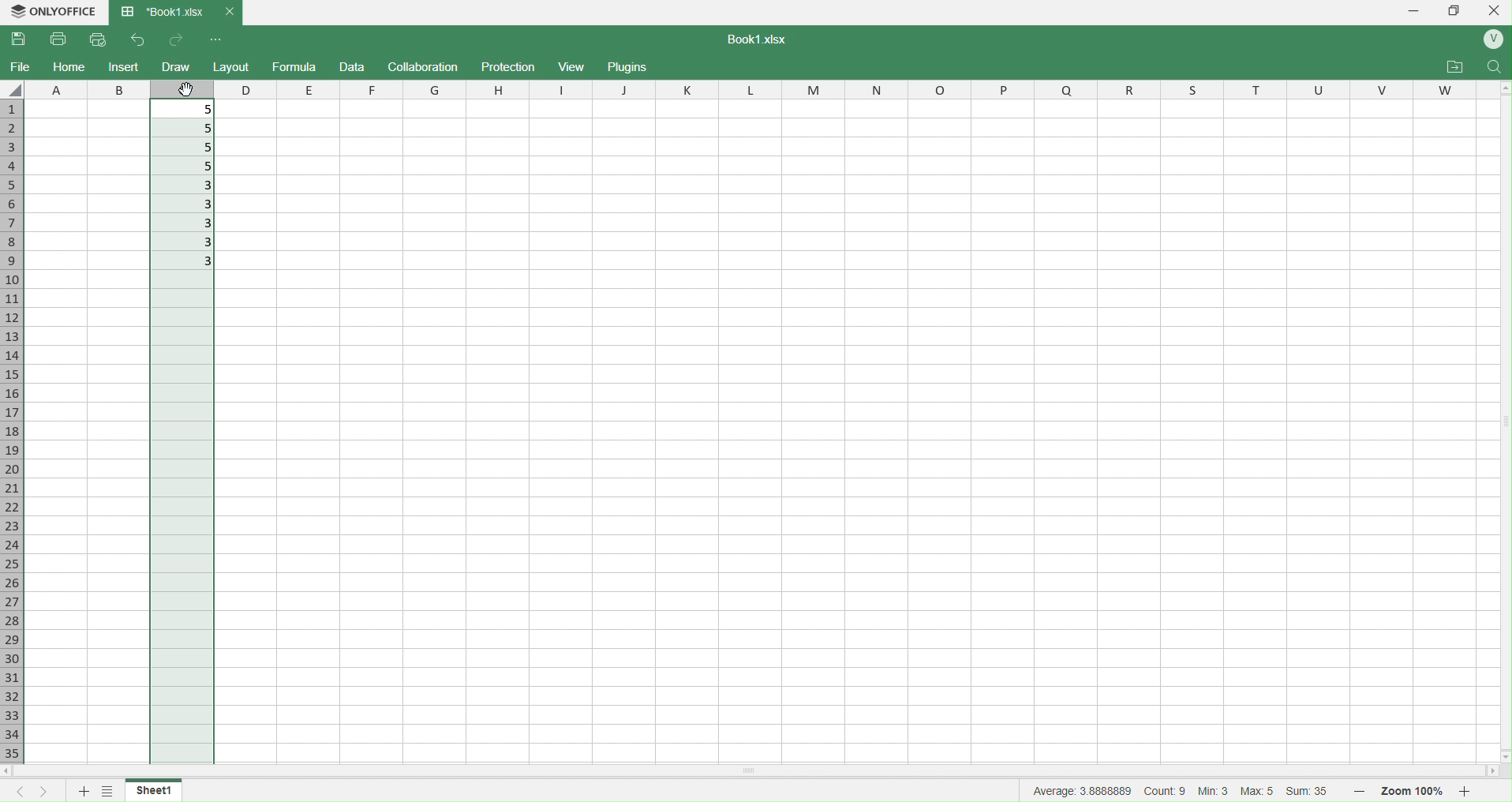 Image resolution: width=1512 pixels, height=802 pixels. What do you see at coordinates (52, 11) in the screenshot?
I see `OnlyOffice` at bounding box center [52, 11].